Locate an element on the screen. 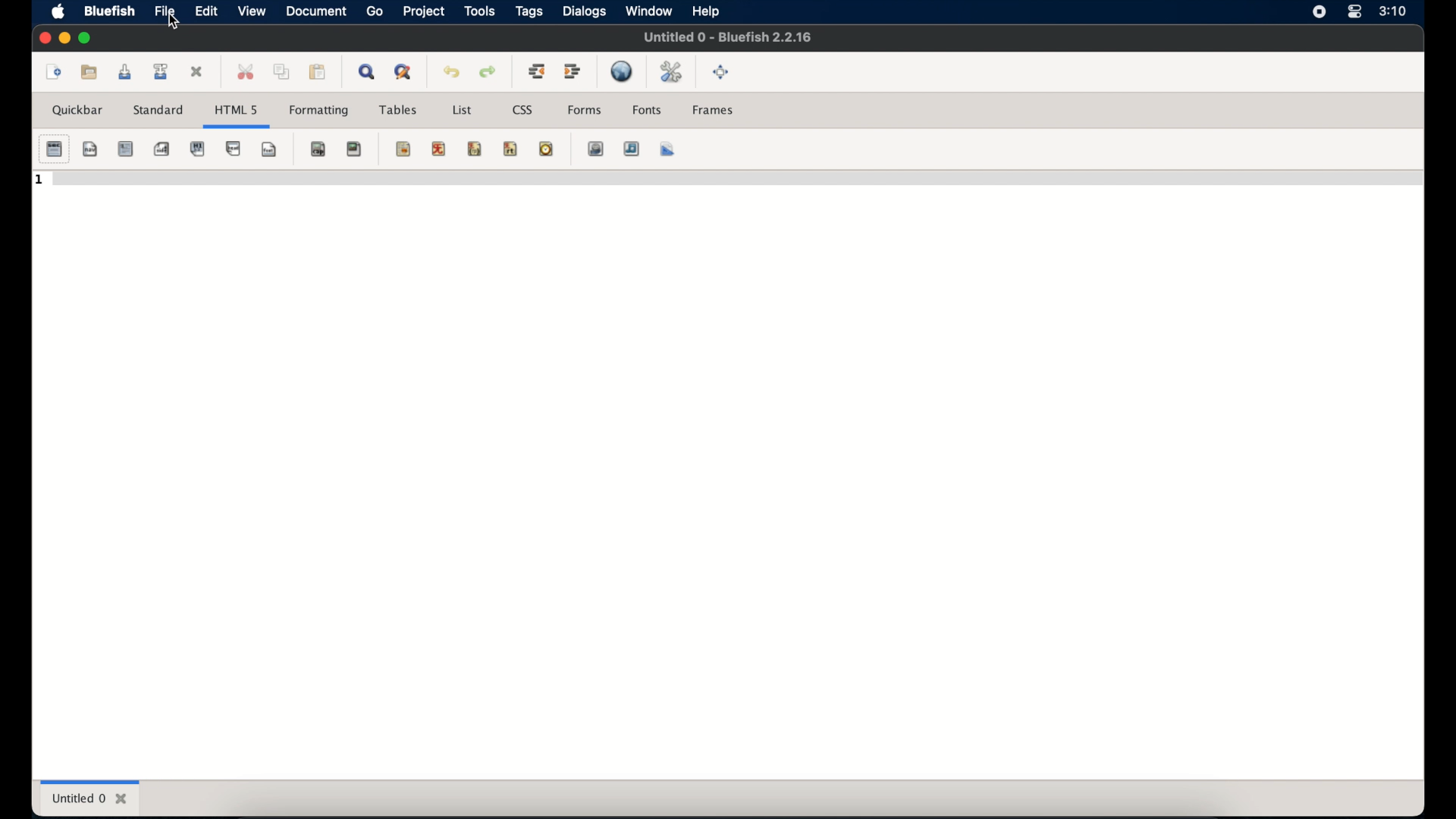 The image size is (1456, 819). tables is located at coordinates (398, 110).